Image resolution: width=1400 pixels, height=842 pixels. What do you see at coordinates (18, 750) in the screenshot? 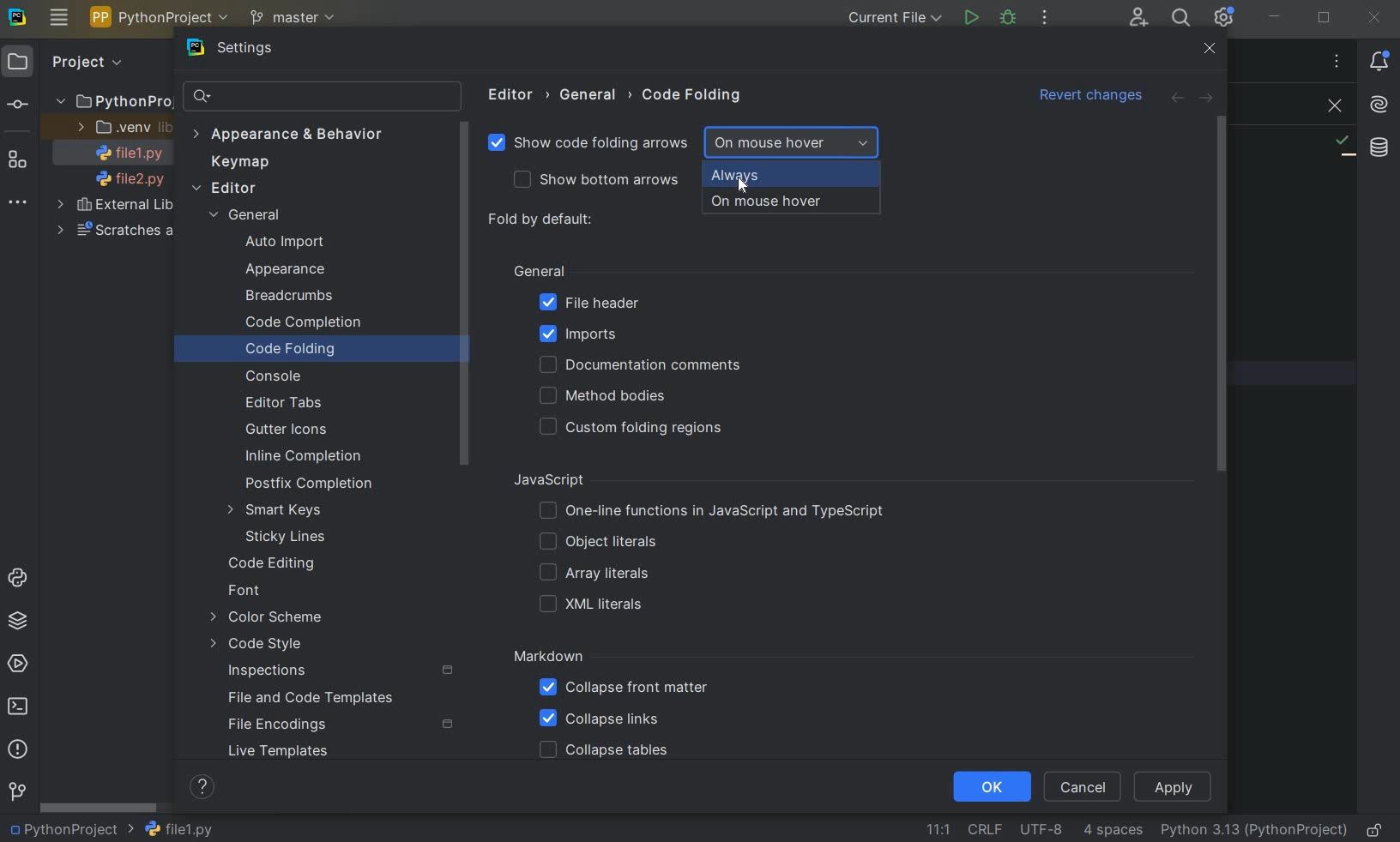
I see `PROBLEMS` at bounding box center [18, 750].